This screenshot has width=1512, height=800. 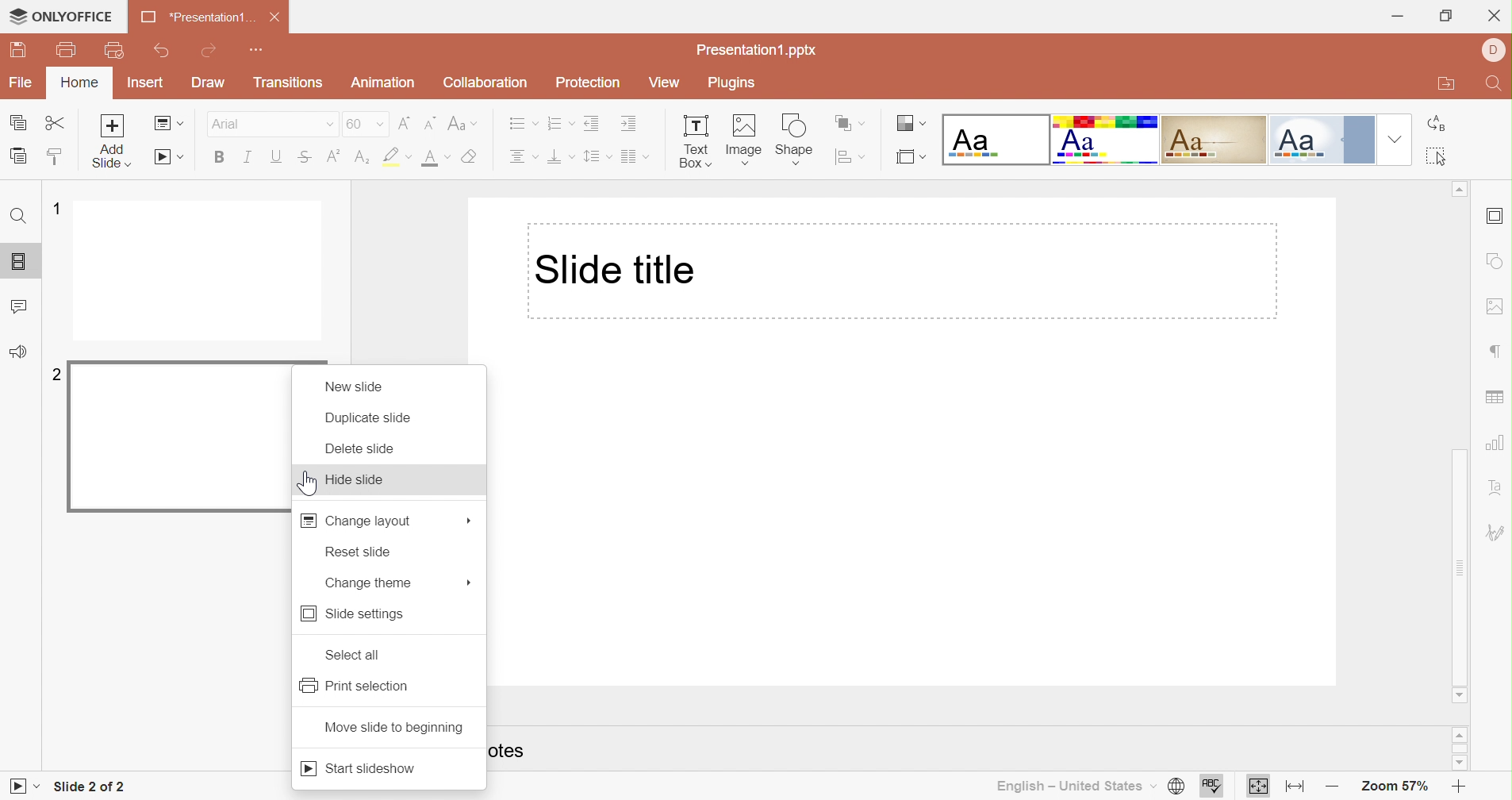 I want to click on Align Bottom, so click(x=561, y=159).